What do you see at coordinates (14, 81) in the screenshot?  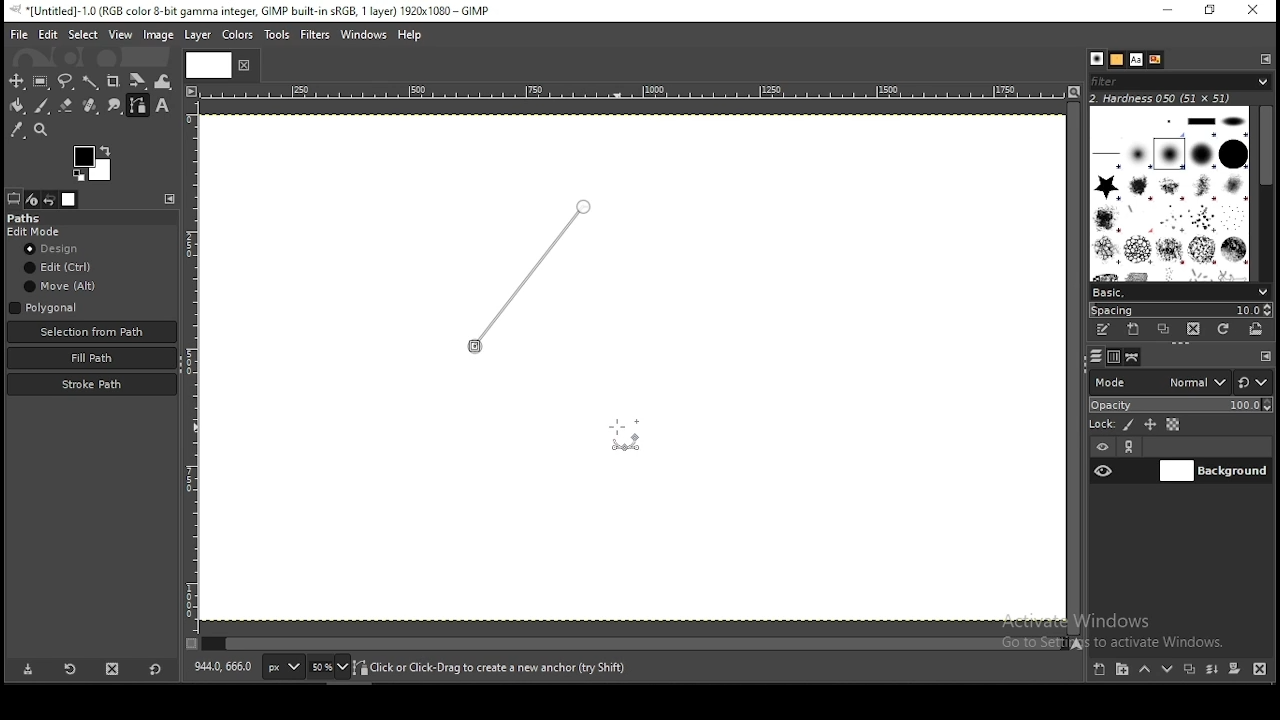 I see `selection tool` at bounding box center [14, 81].